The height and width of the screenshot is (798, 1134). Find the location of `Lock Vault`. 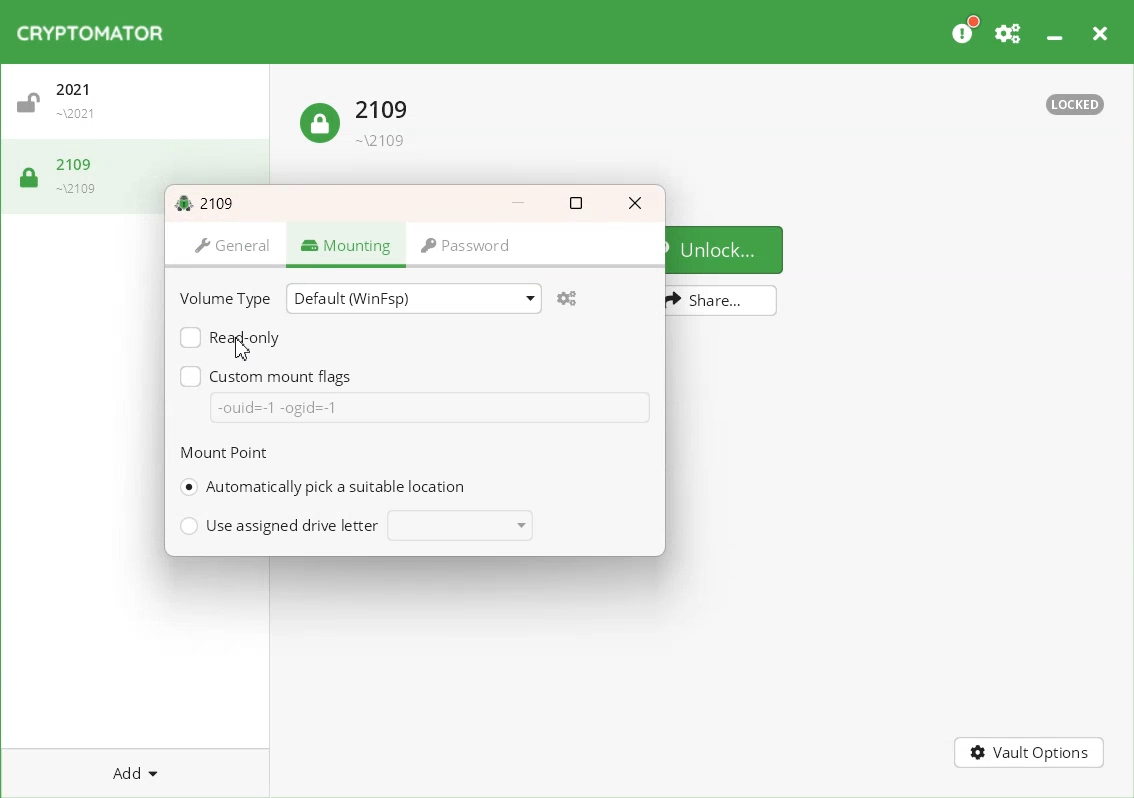

Lock Vault is located at coordinates (67, 174).